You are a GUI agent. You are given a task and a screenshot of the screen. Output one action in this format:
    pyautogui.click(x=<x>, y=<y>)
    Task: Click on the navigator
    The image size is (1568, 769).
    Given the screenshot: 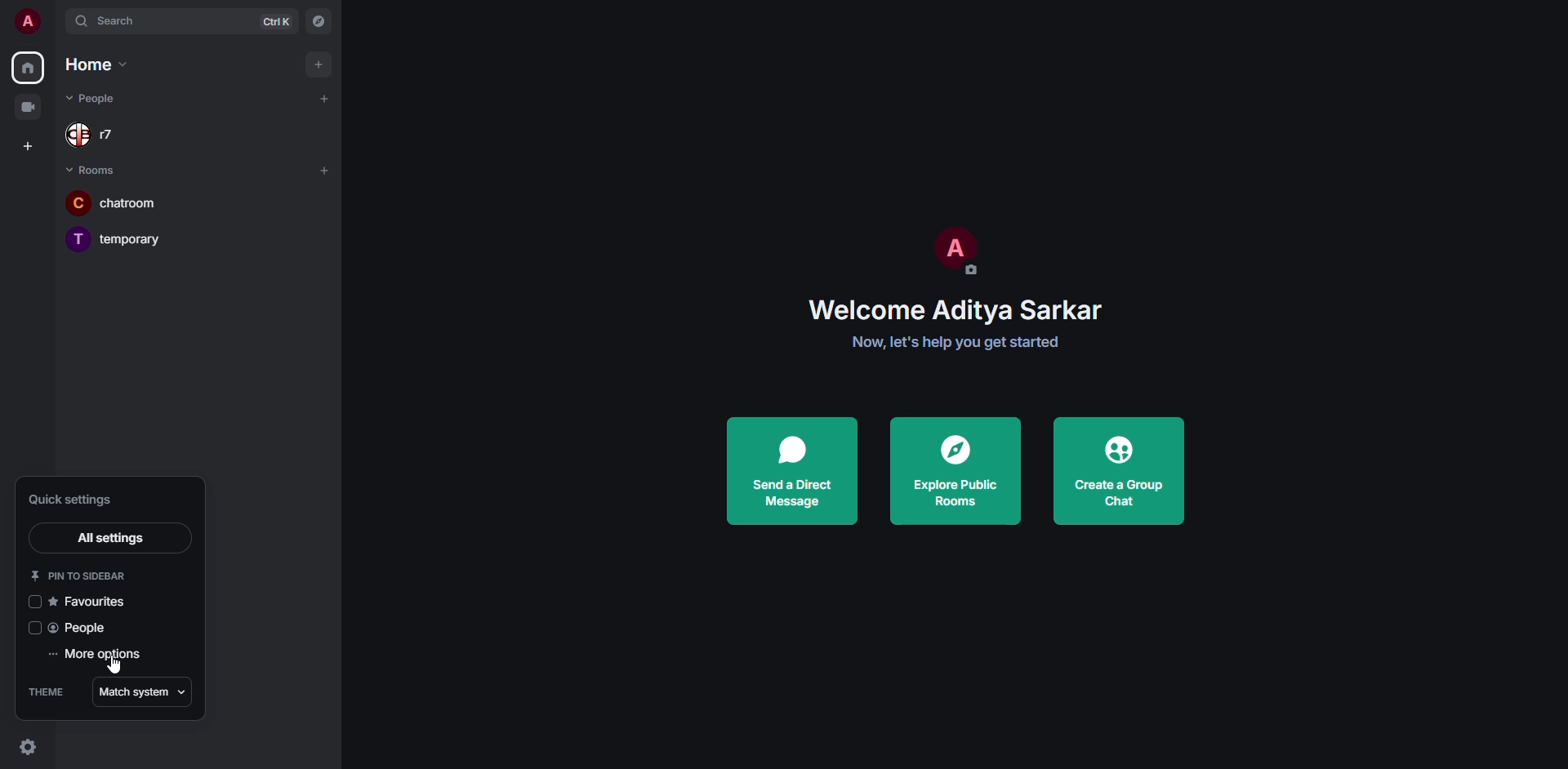 What is the action you would take?
    pyautogui.click(x=320, y=20)
    